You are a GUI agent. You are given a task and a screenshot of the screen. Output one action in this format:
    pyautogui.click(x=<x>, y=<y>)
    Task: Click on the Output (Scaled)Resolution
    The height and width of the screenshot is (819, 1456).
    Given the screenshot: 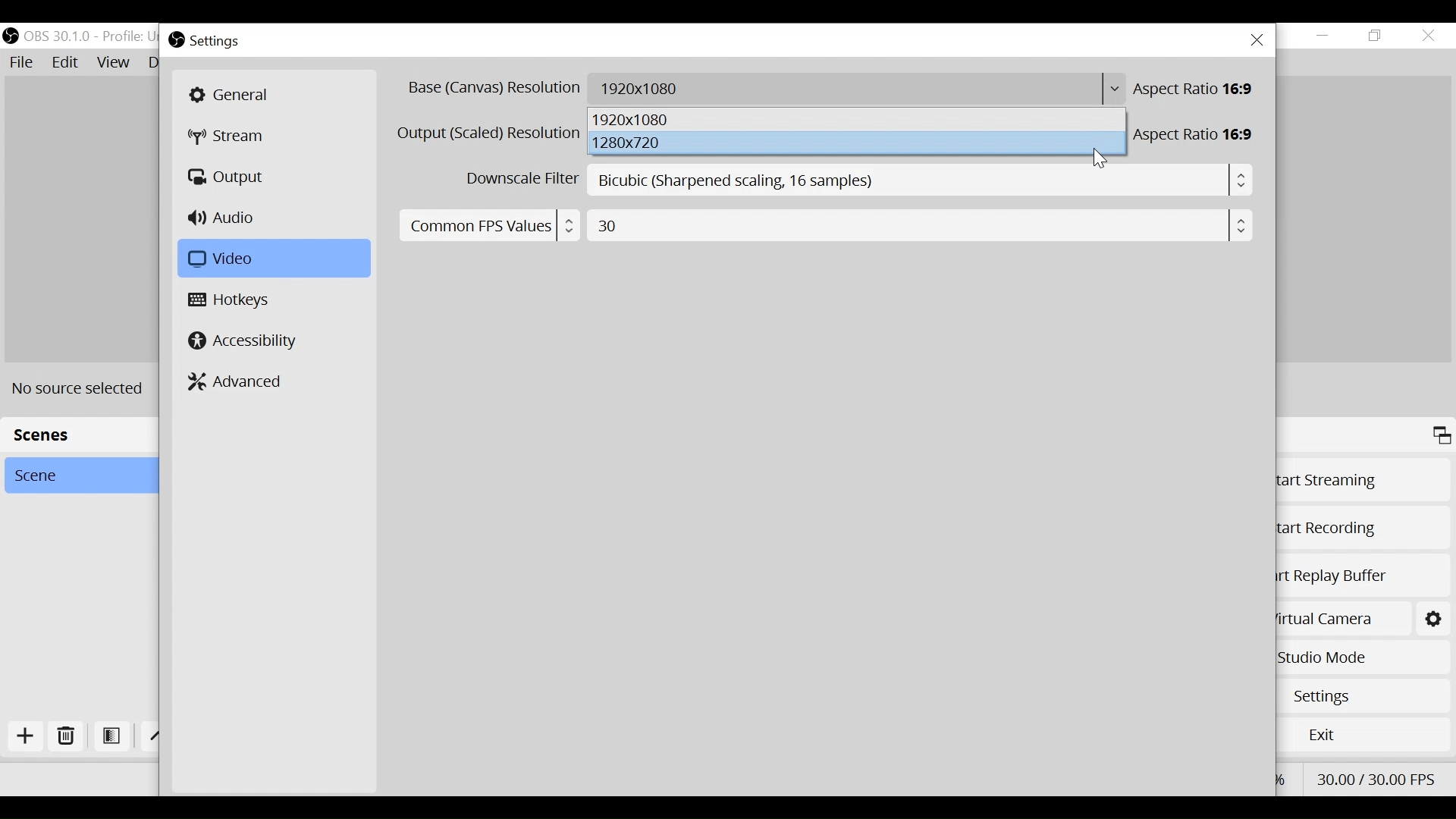 What is the action you would take?
    pyautogui.click(x=489, y=133)
    